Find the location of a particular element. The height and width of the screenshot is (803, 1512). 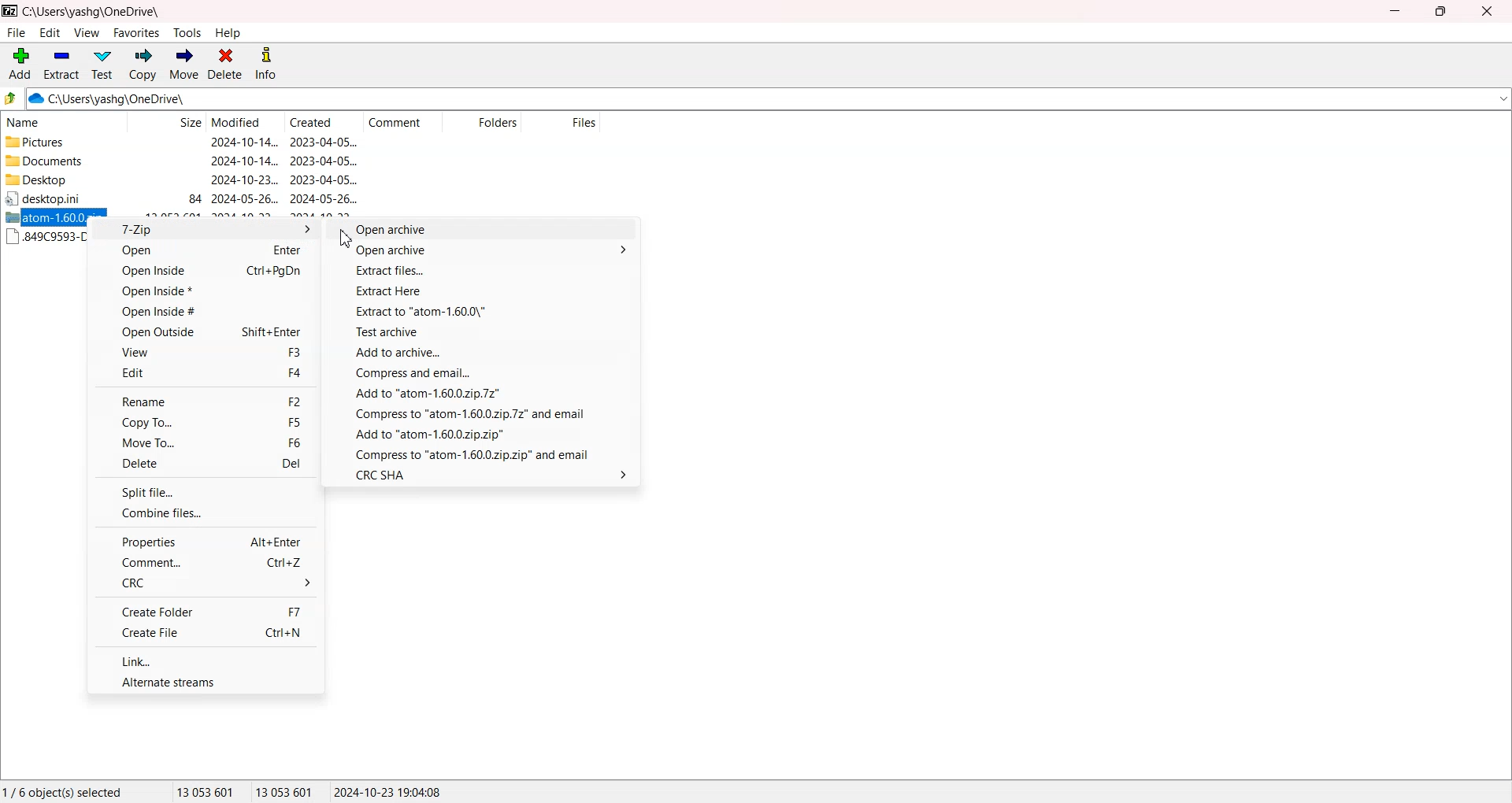

CRC SHA is located at coordinates (483, 474).